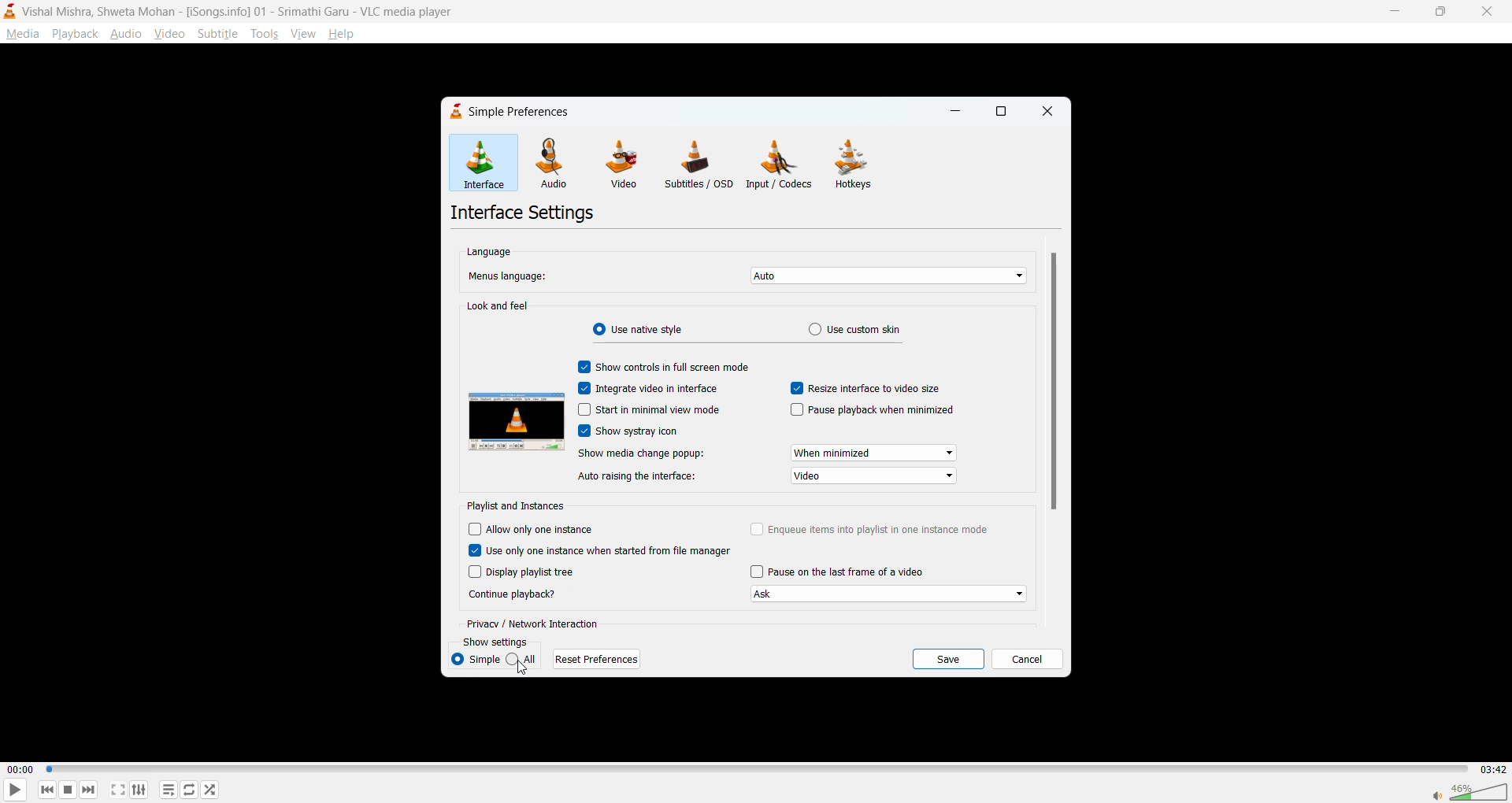 The height and width of the screenshot is (803, 1512). I want to click on view, so click(302, 31).